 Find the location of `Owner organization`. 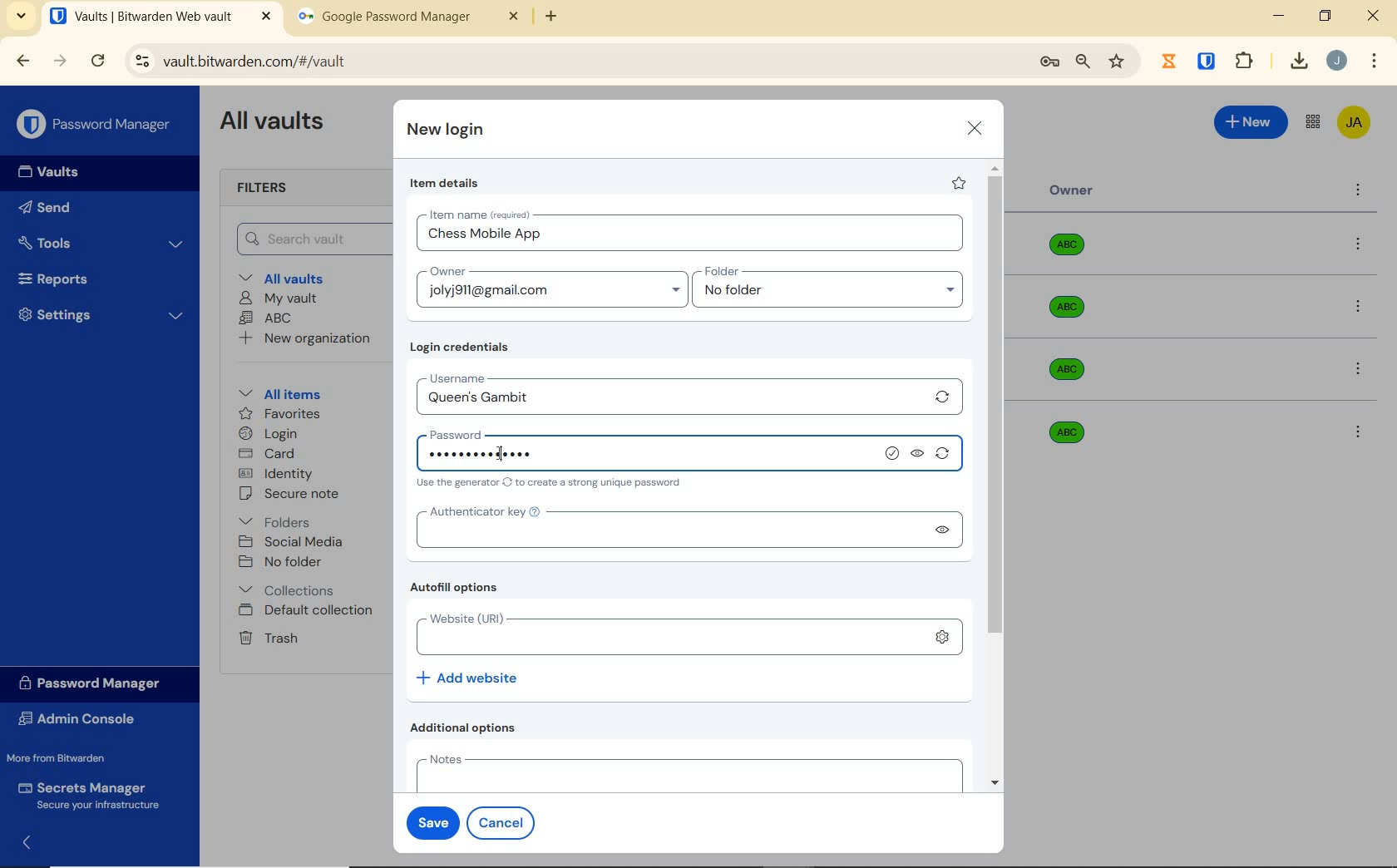

Owner organization is located at coordinates (1073, 251).